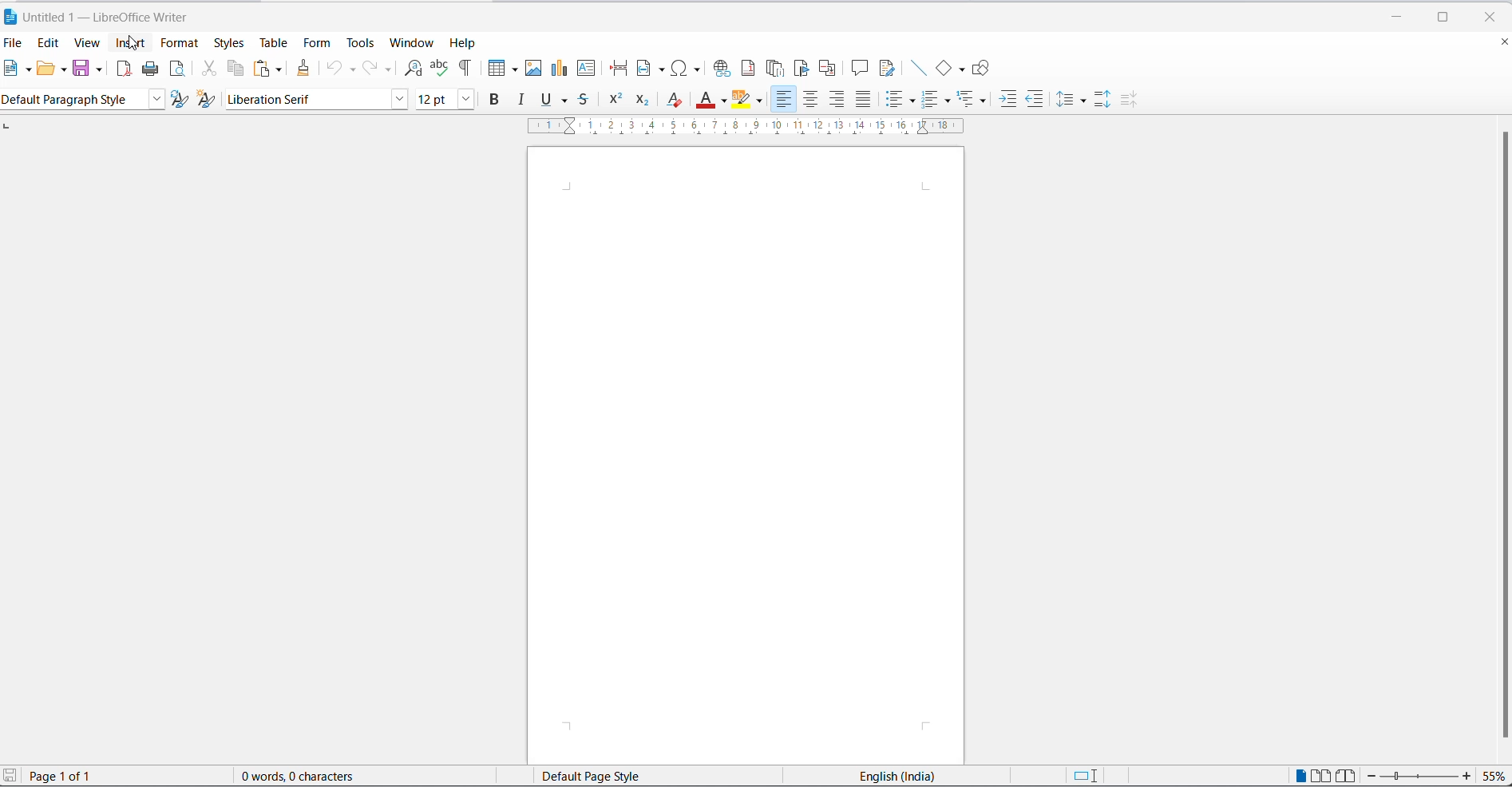 The image size is (1512, 787). Describe the element at coordinates (1008, 100) in the screenshot. I see `increase indent` at that location.